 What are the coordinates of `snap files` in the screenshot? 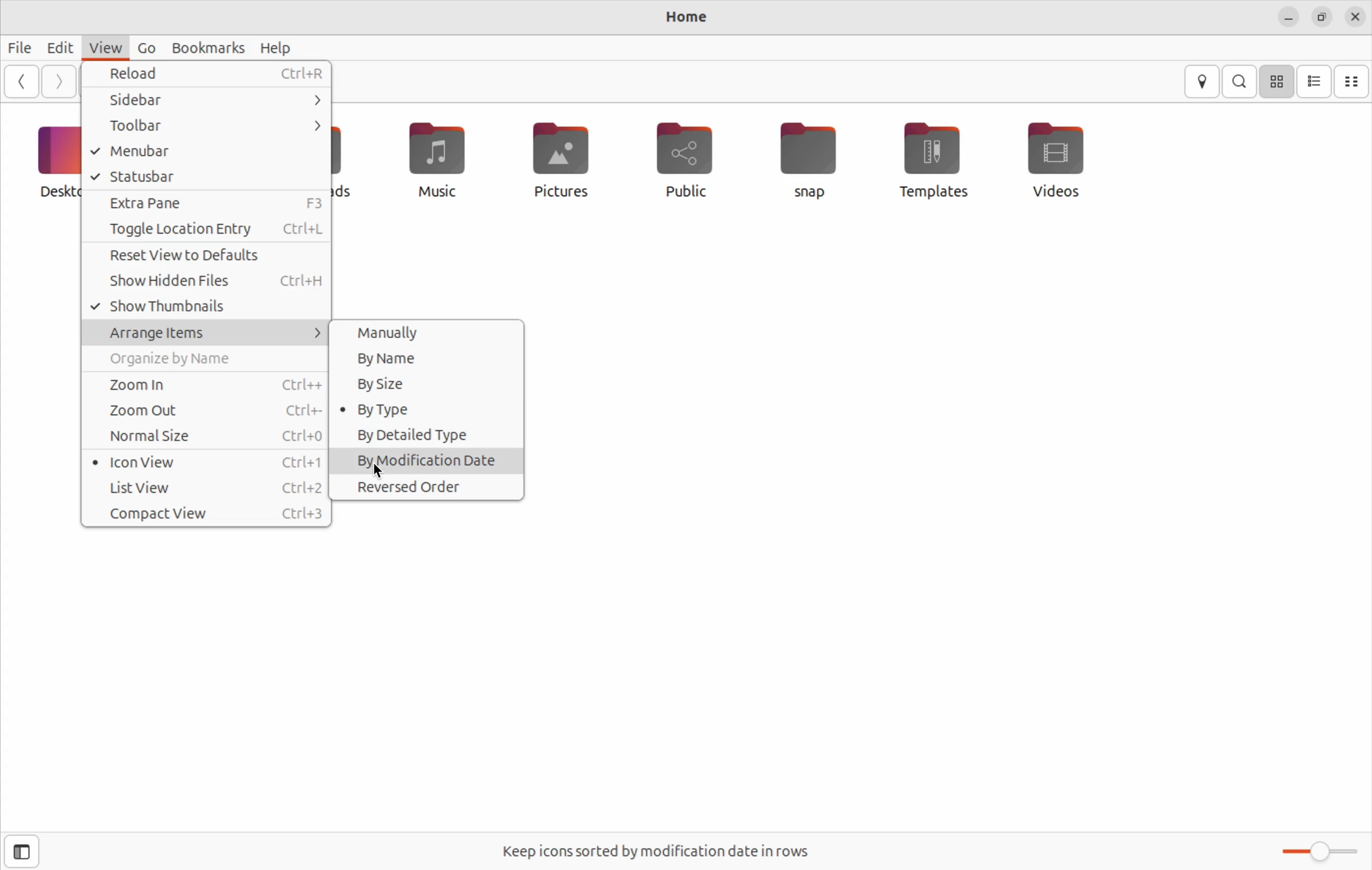 It's located at (816, 160).